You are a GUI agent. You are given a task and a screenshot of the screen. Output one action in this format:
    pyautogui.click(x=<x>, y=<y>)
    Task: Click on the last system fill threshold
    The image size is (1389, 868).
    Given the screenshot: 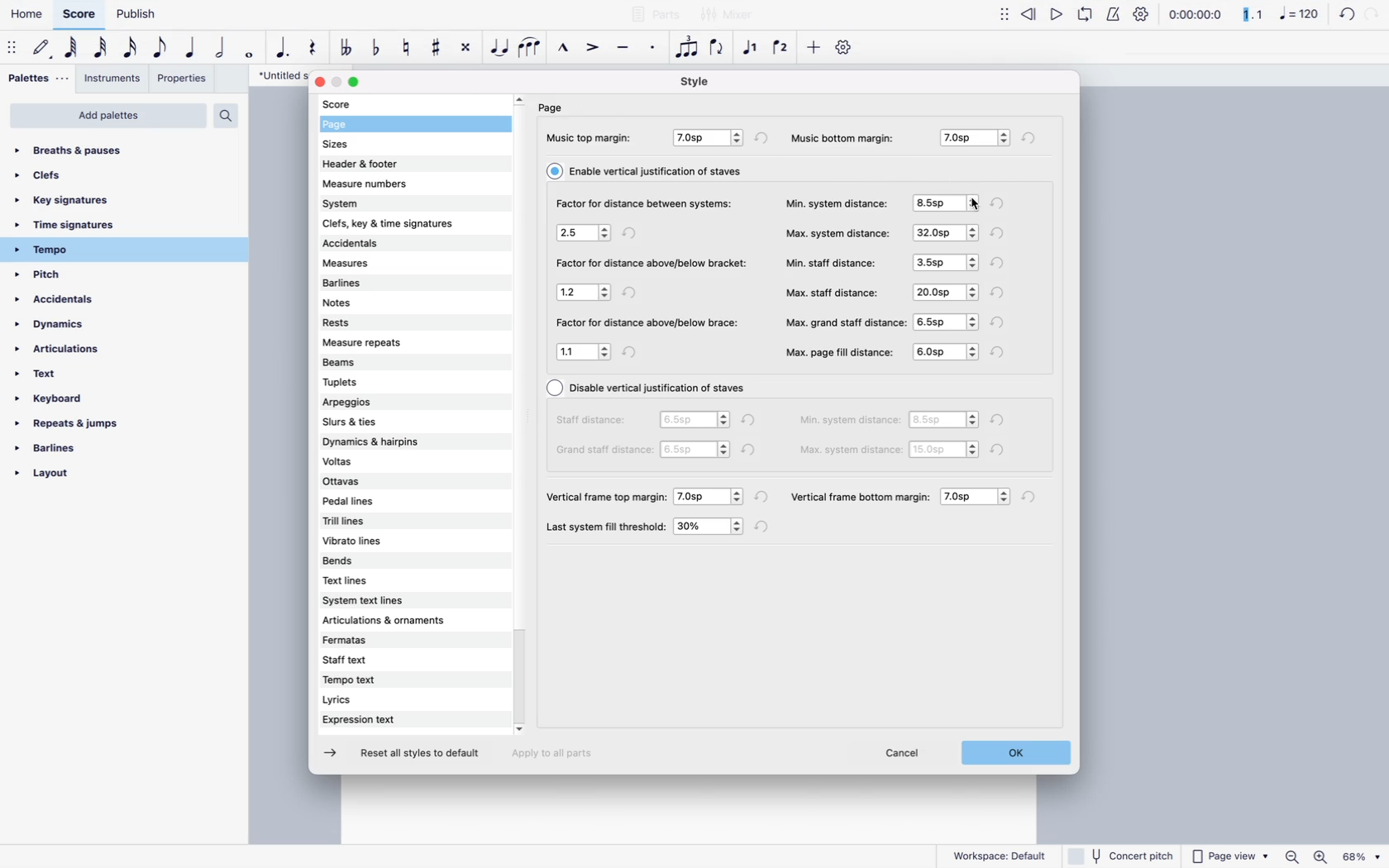 What is the action you would take?
    pyautogui.click(x=608, y=527)
    